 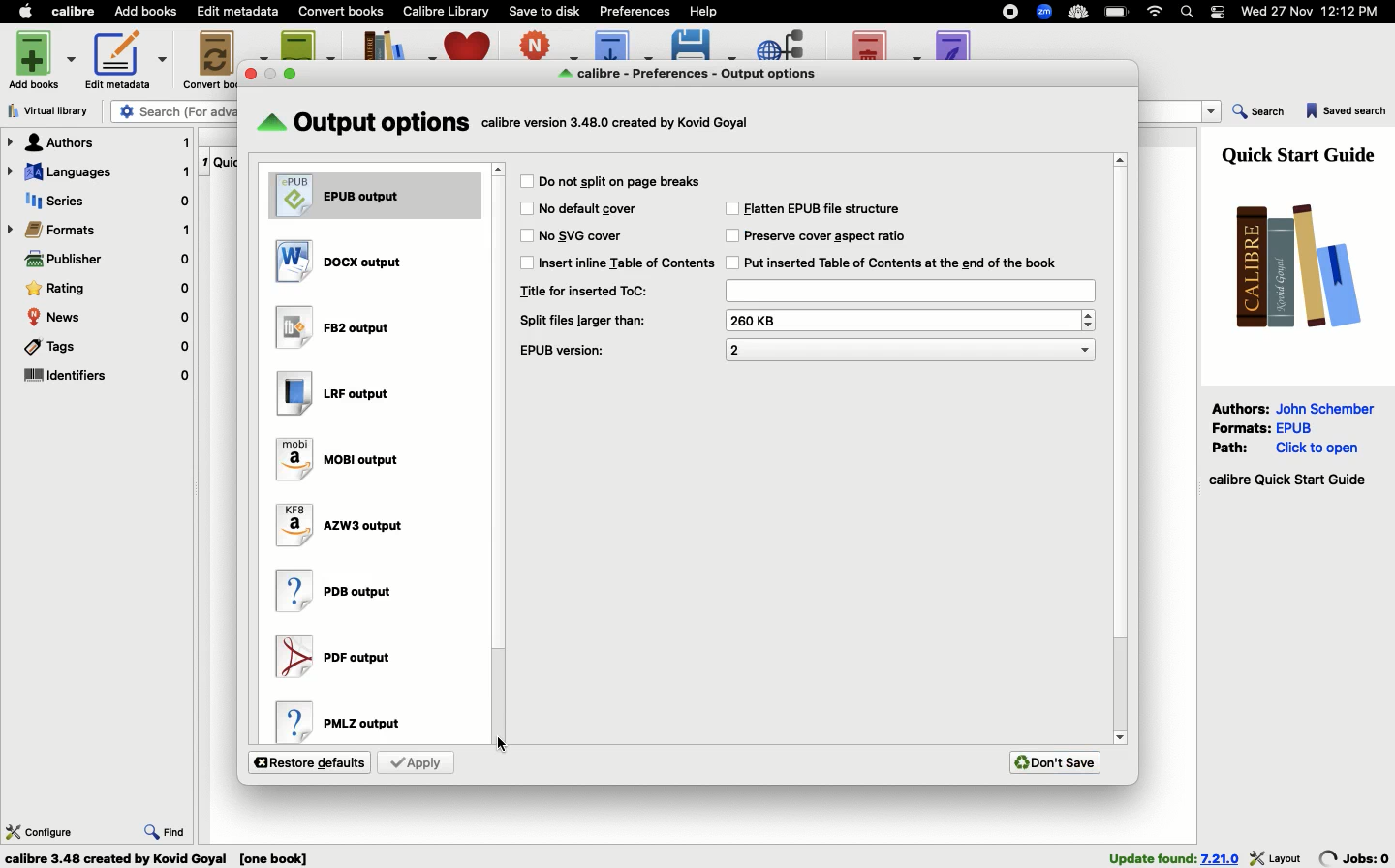 What do you see at coordinates (545, 10) in the screenshot?
I see `Save to disk` at bounding box center [545, 10].